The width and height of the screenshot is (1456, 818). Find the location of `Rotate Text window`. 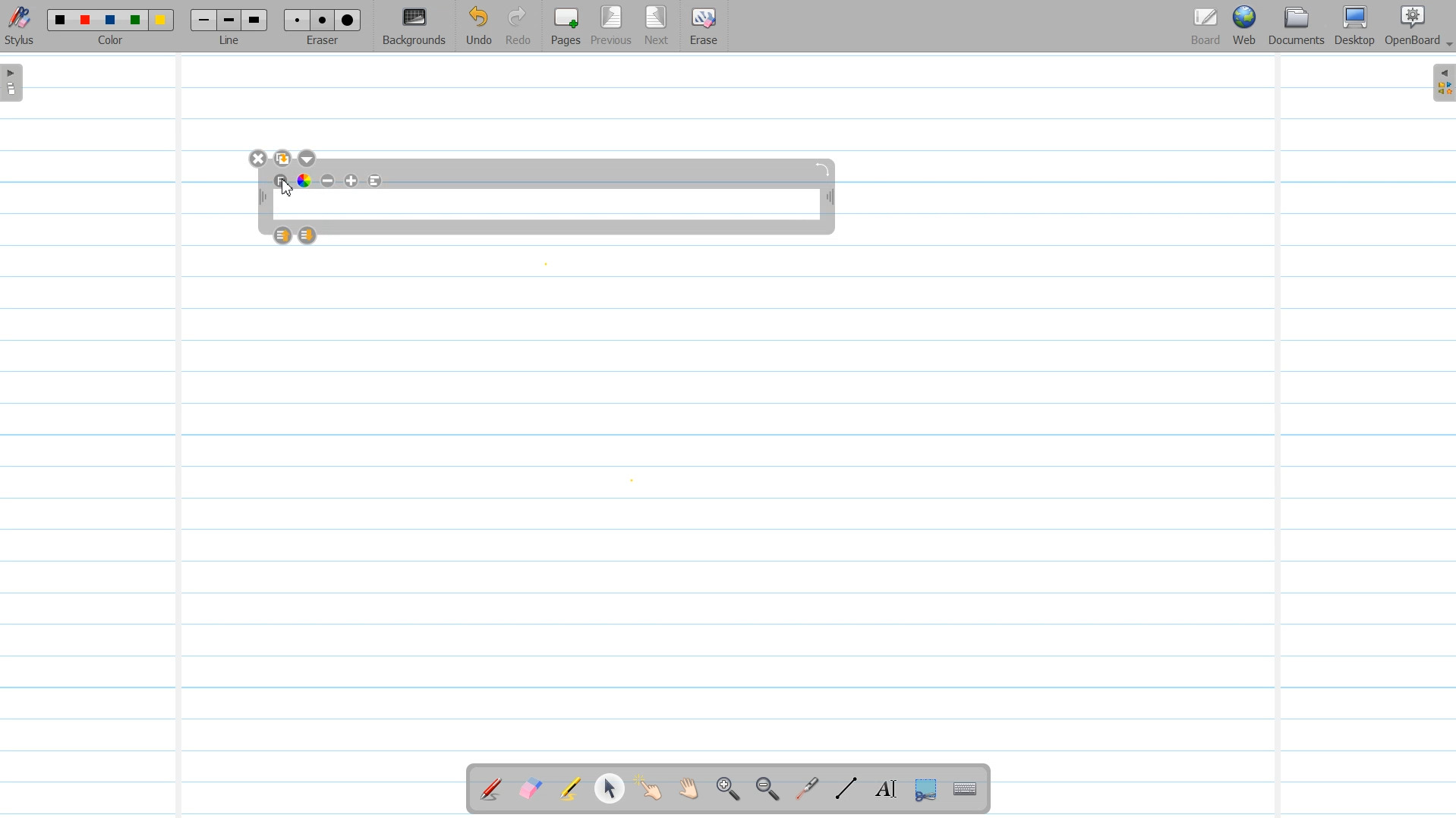

Rotate Text window is located at coordinates (824, 168).